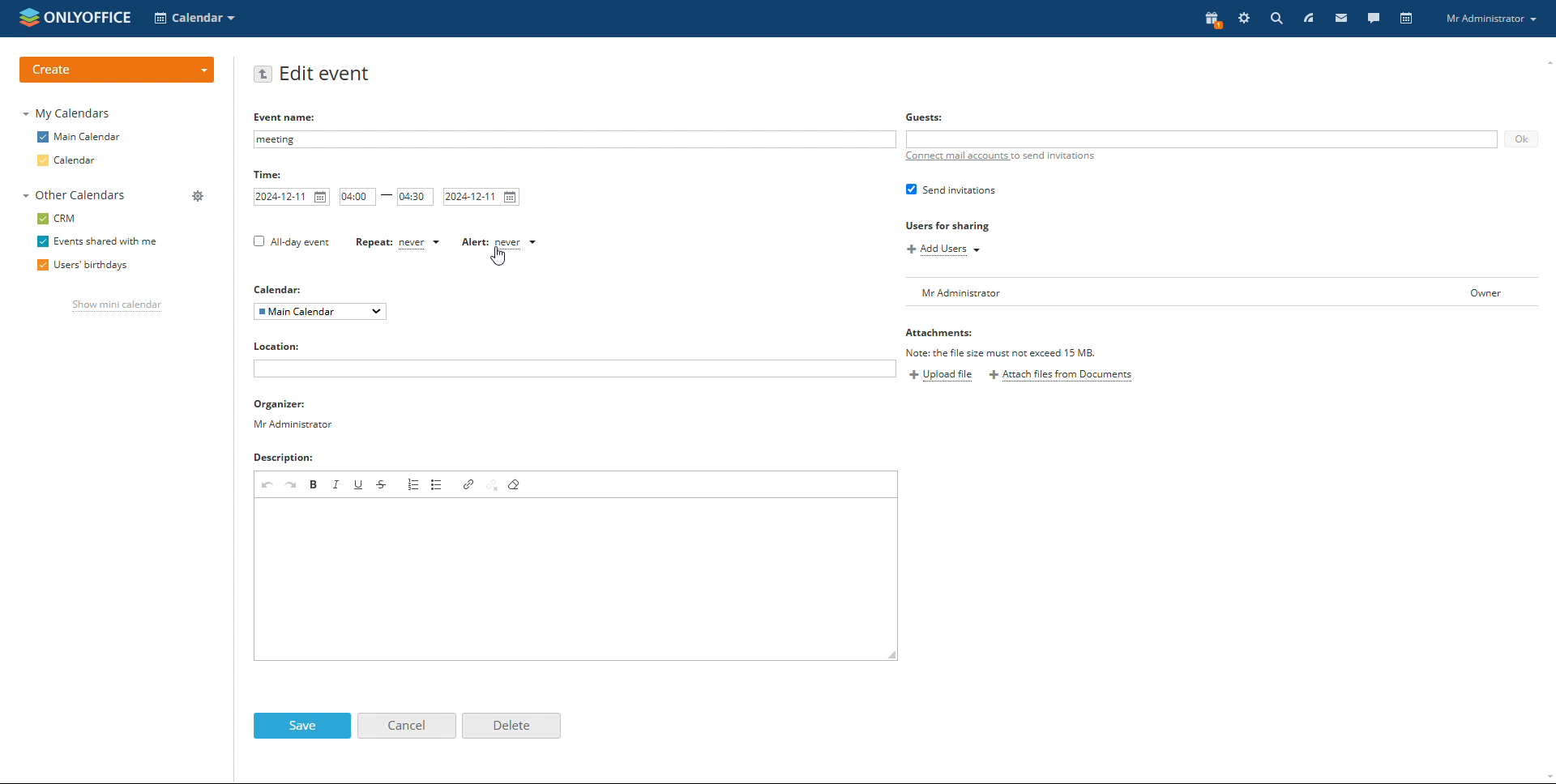 The image size is (1556, 784). Describe the element at coordinates (281, 290) in the screenshot. I see `` at that location.